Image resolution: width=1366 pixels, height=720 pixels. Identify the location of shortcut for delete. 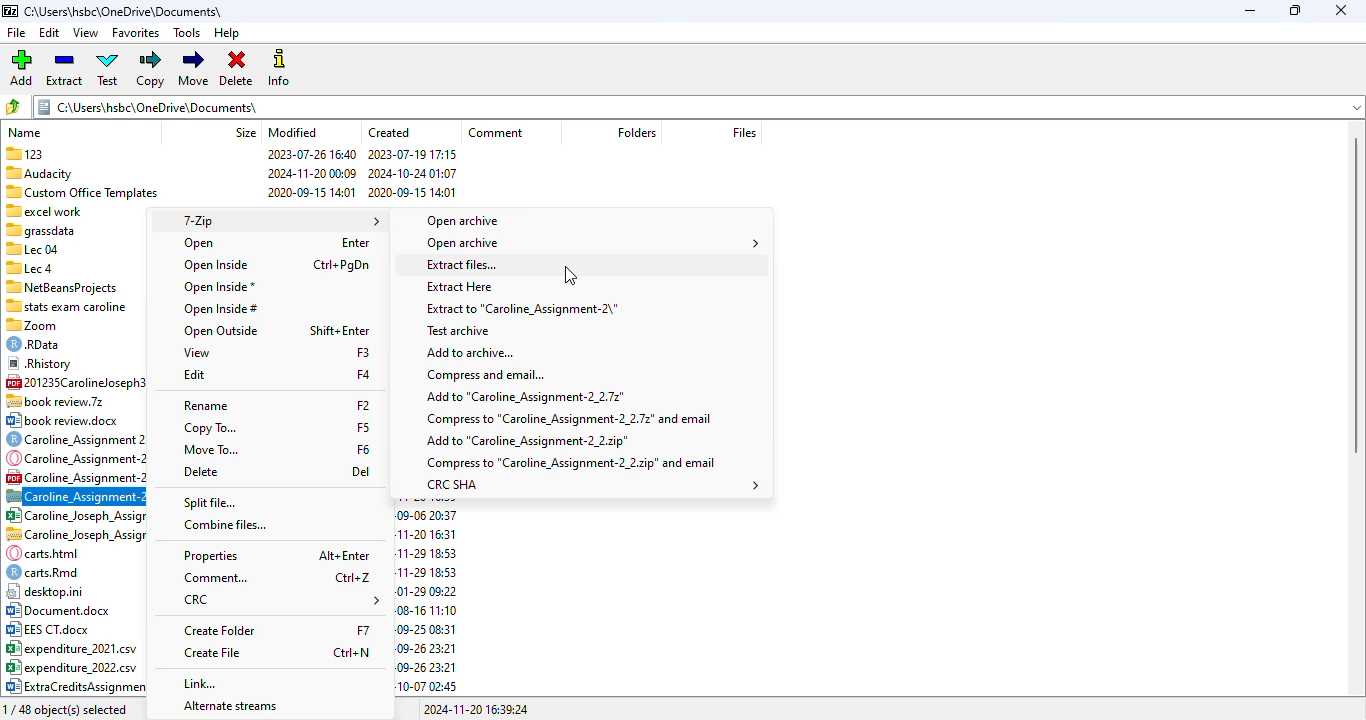
(361, 471).